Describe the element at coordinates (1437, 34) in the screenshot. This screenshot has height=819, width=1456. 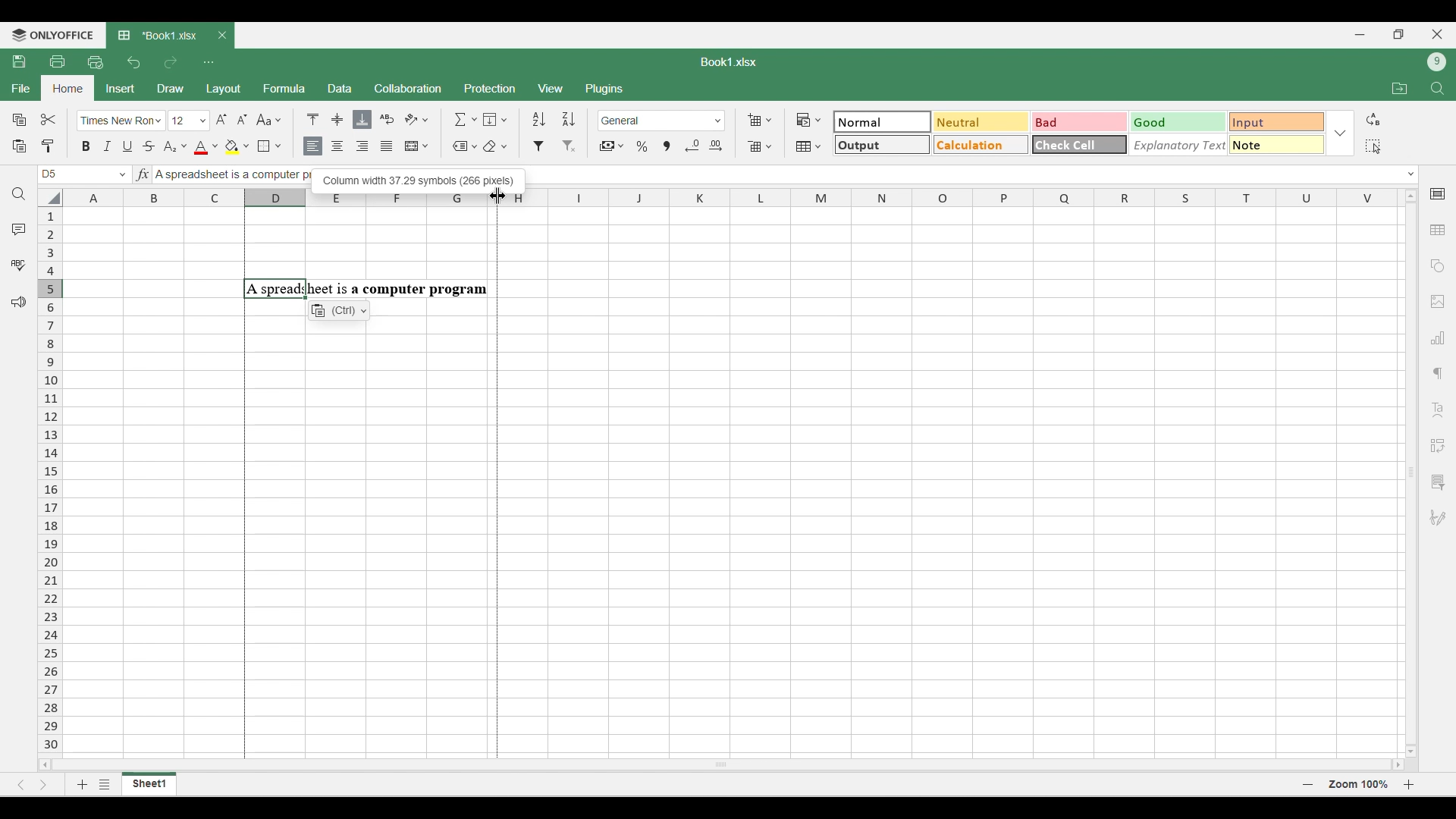
I see `Close interface` at that location.